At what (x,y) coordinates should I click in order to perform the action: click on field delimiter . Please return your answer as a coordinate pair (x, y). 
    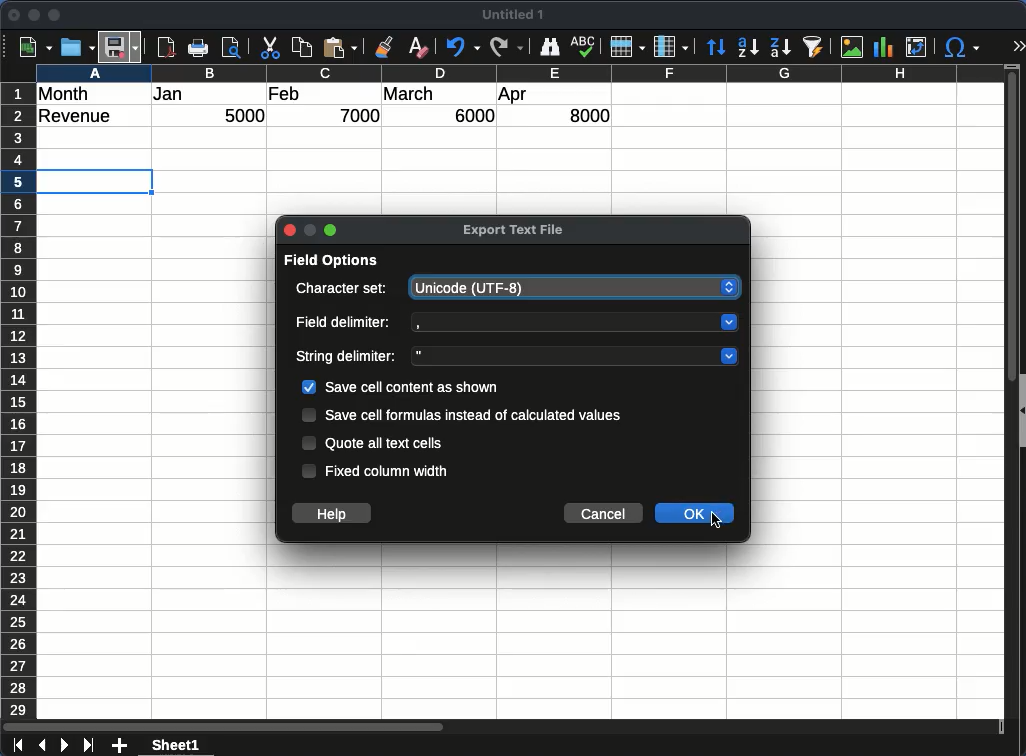
    Looking at the image, I should click on (344, 324).